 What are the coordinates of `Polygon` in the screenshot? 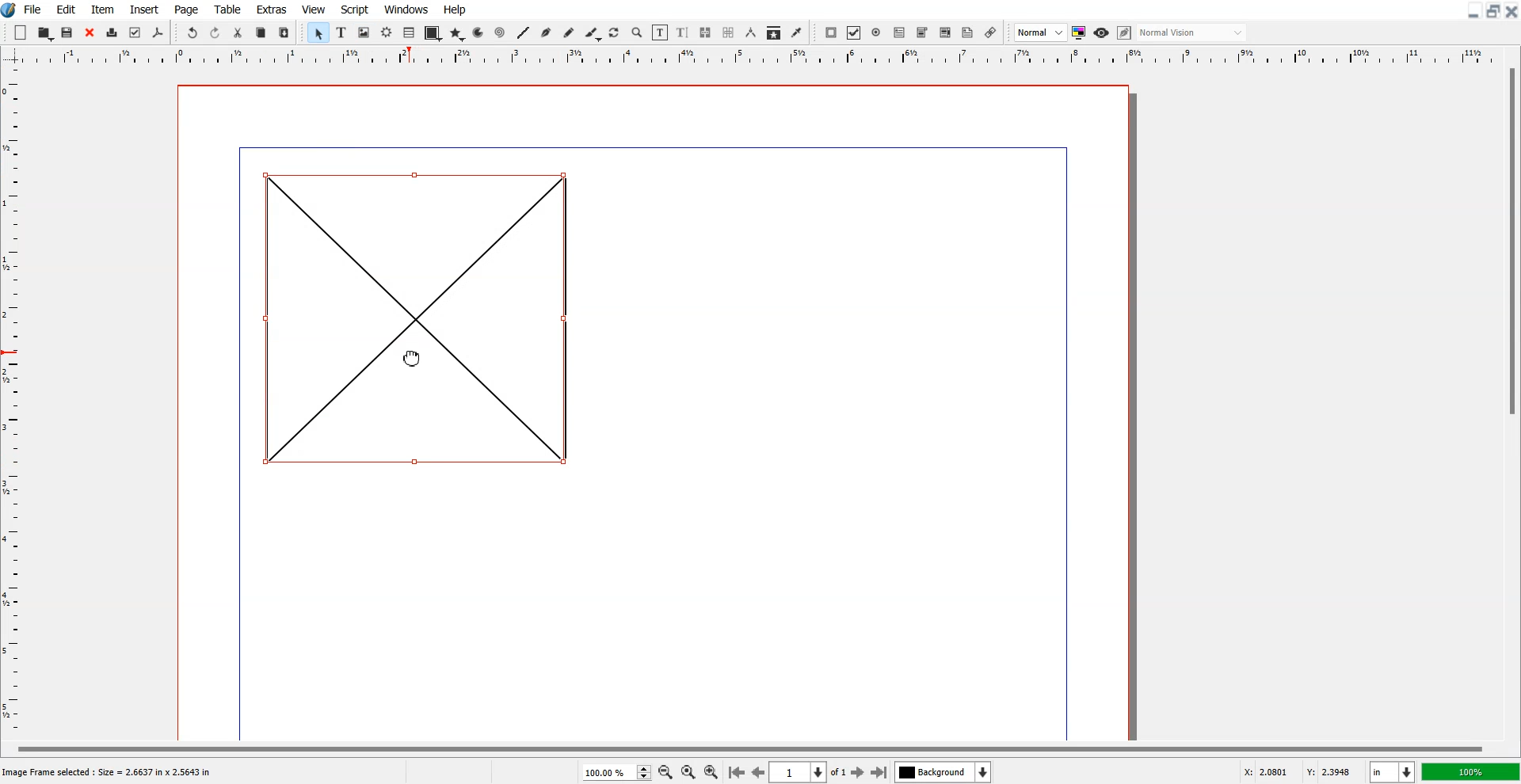 It's located at (457, 35).